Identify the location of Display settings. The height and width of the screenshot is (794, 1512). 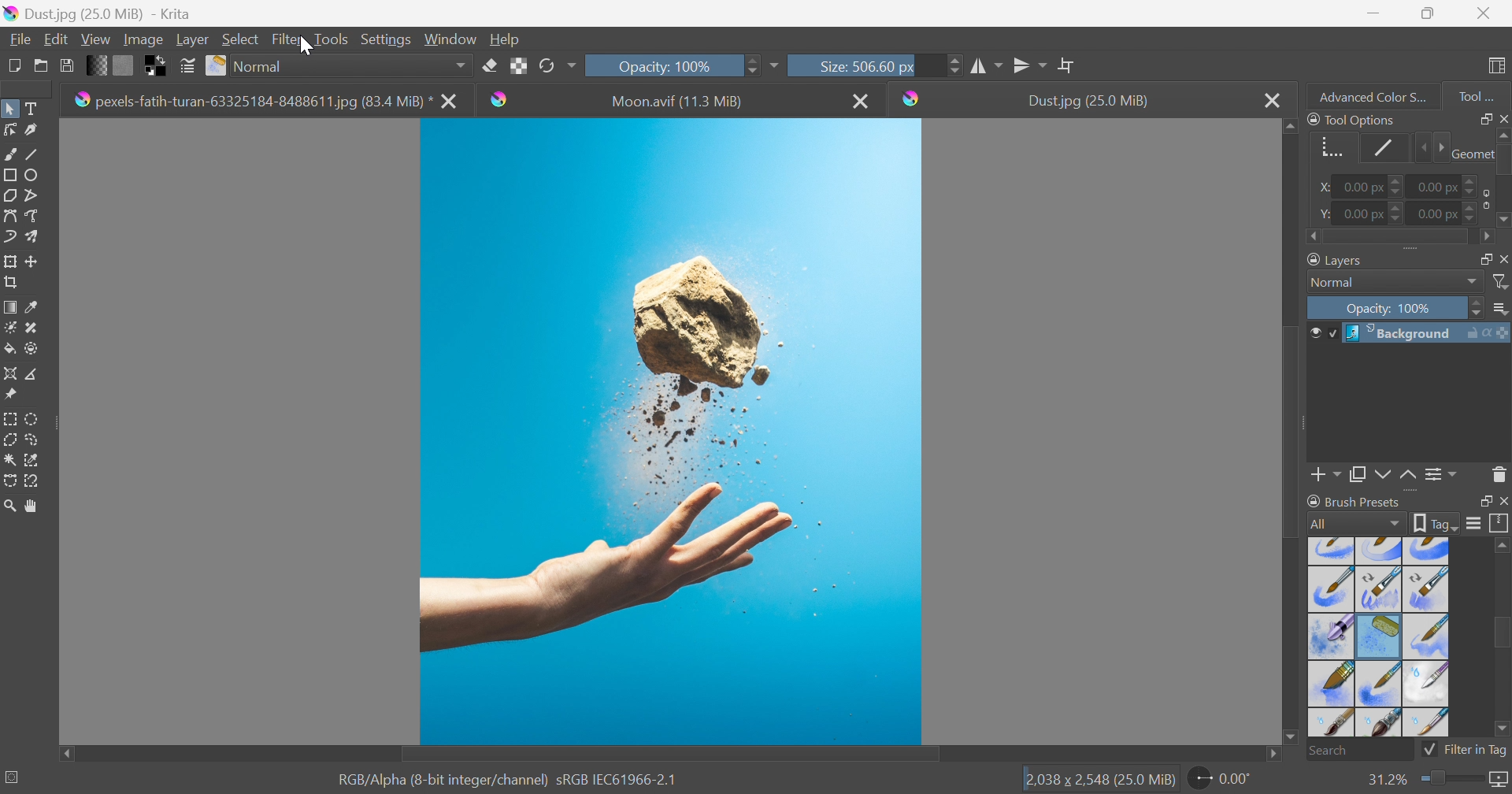
(1473, 523).